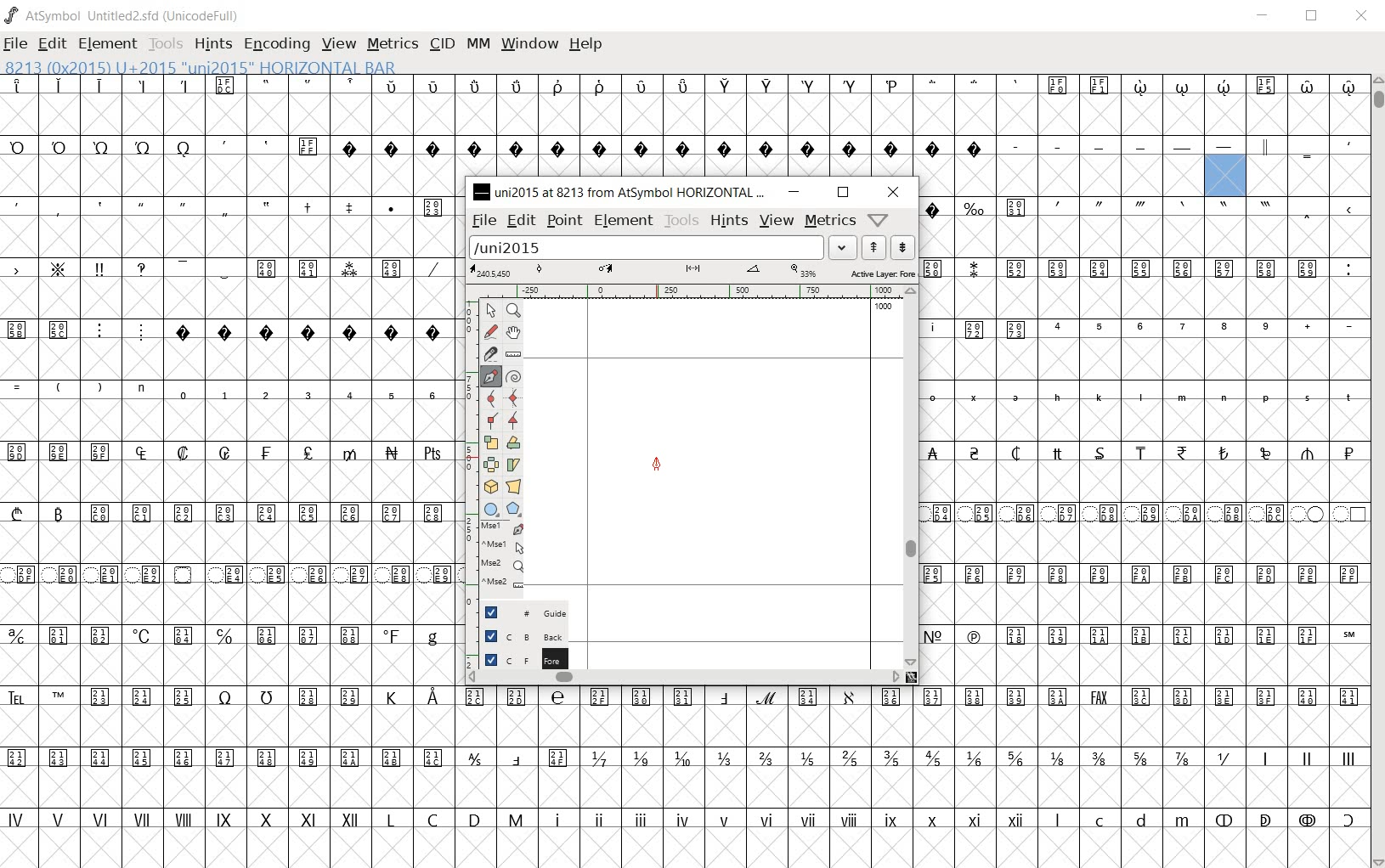 Image resolution: width=1385 pixels, height=868 pixels. Describe the element at coordinates (168, 45) in the screenshot. I see `TOOLS` at that location.